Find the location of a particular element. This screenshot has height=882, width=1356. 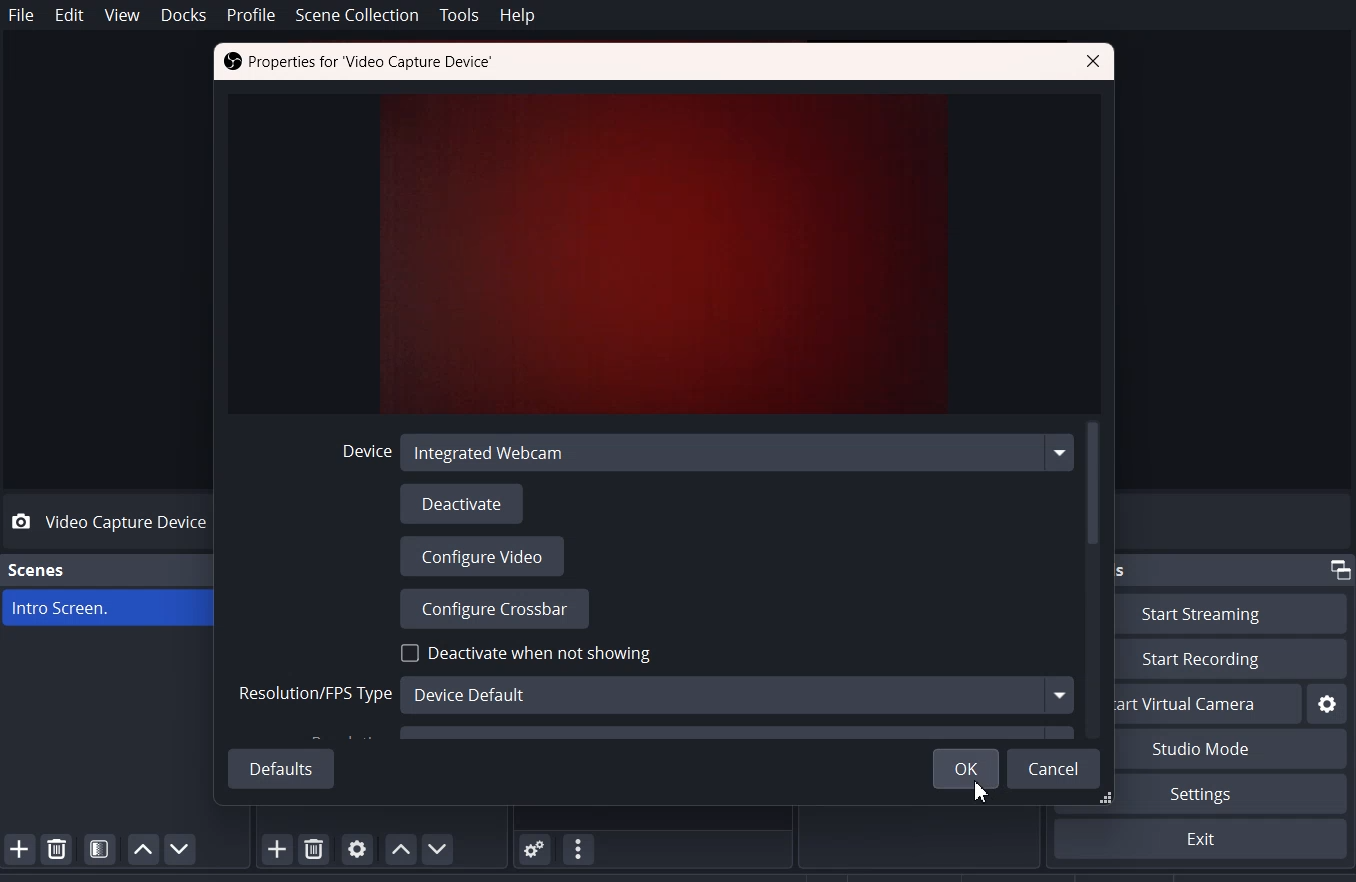

Scene Collection is located at coordinates (358, 16).